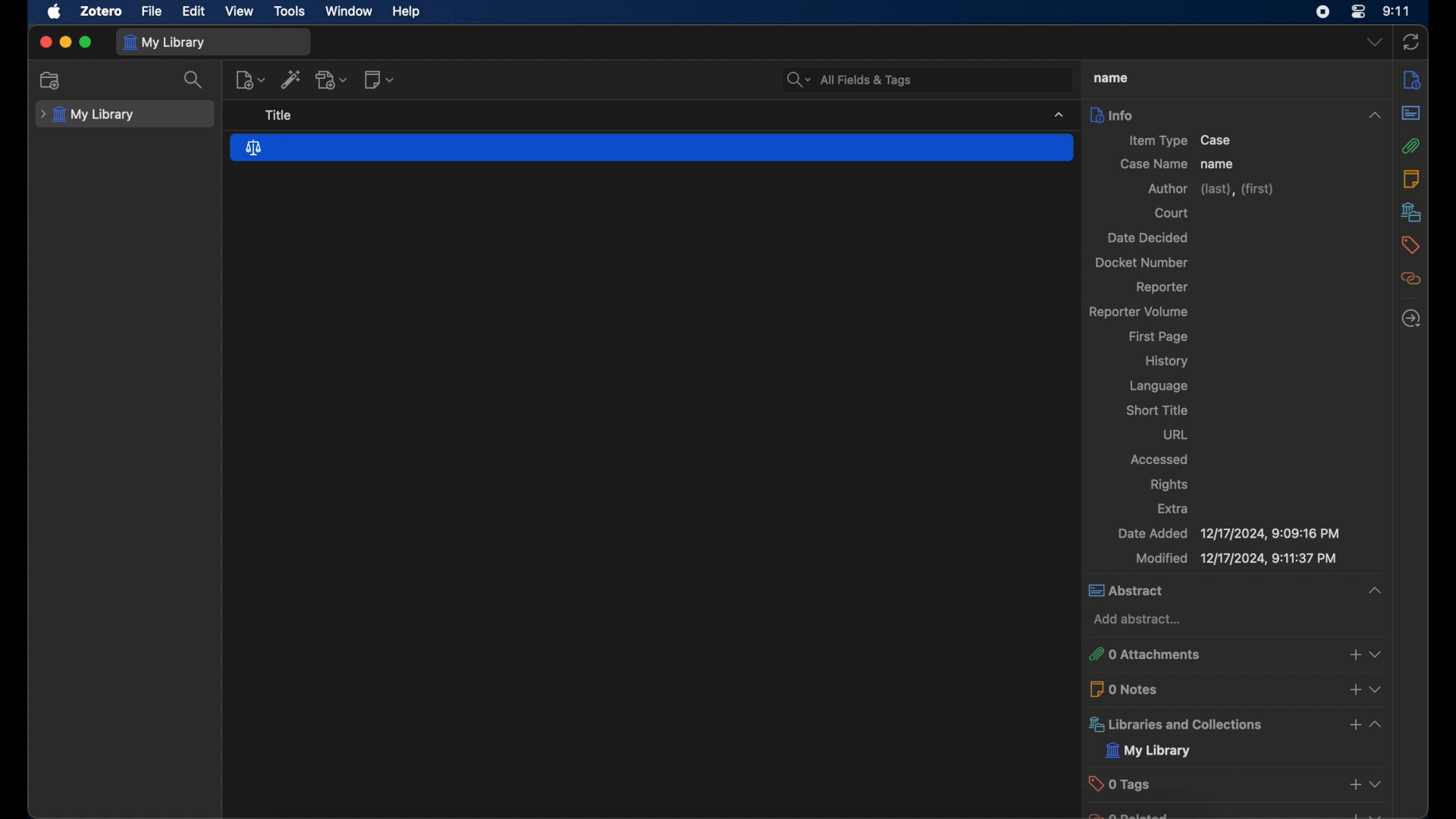 Image resolution: width=1456 pixels, height=819 pixels. Describe the element at coordinates (1212, 189) in the screenshot. I see `author` at that location.